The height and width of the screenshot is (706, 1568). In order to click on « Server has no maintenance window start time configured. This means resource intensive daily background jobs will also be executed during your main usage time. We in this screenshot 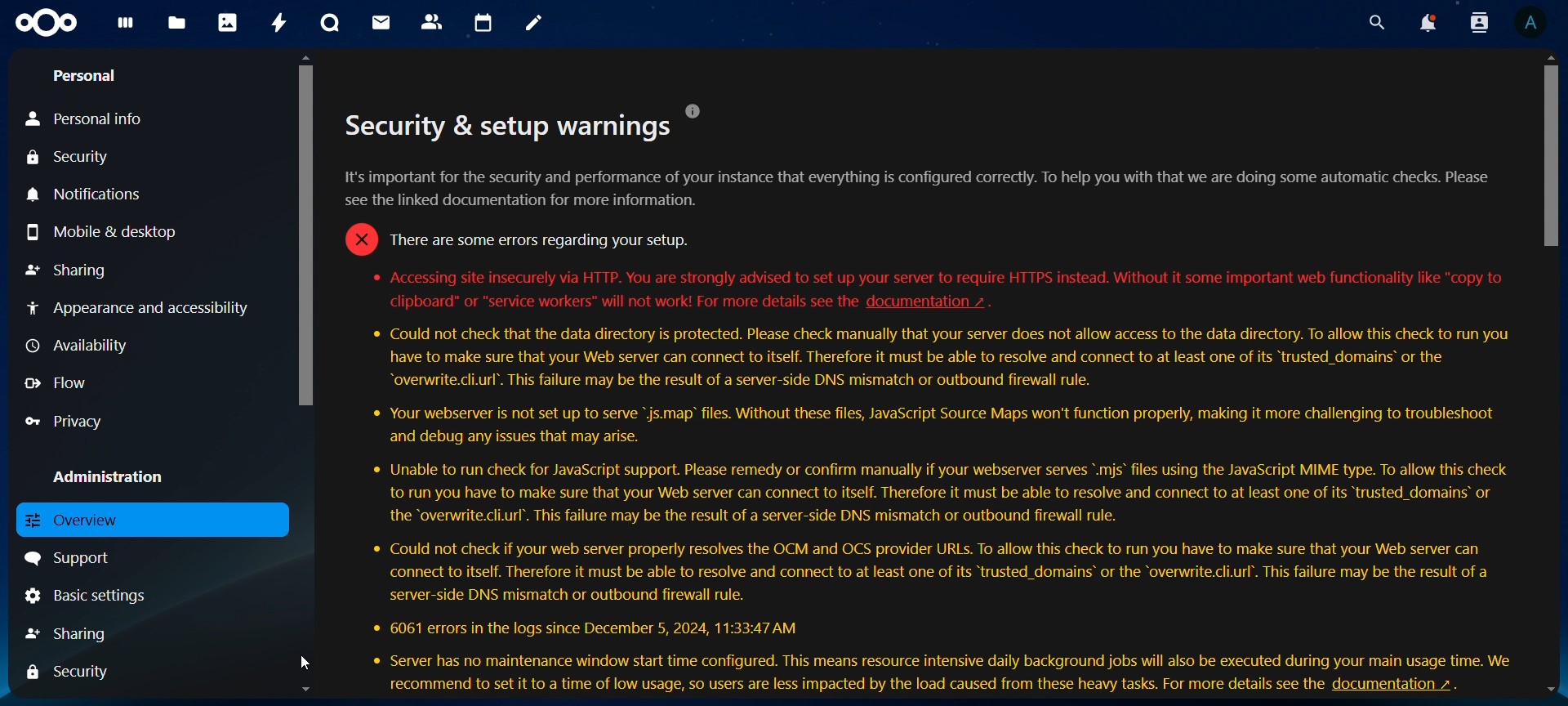, I will do `click(951, 659)`.